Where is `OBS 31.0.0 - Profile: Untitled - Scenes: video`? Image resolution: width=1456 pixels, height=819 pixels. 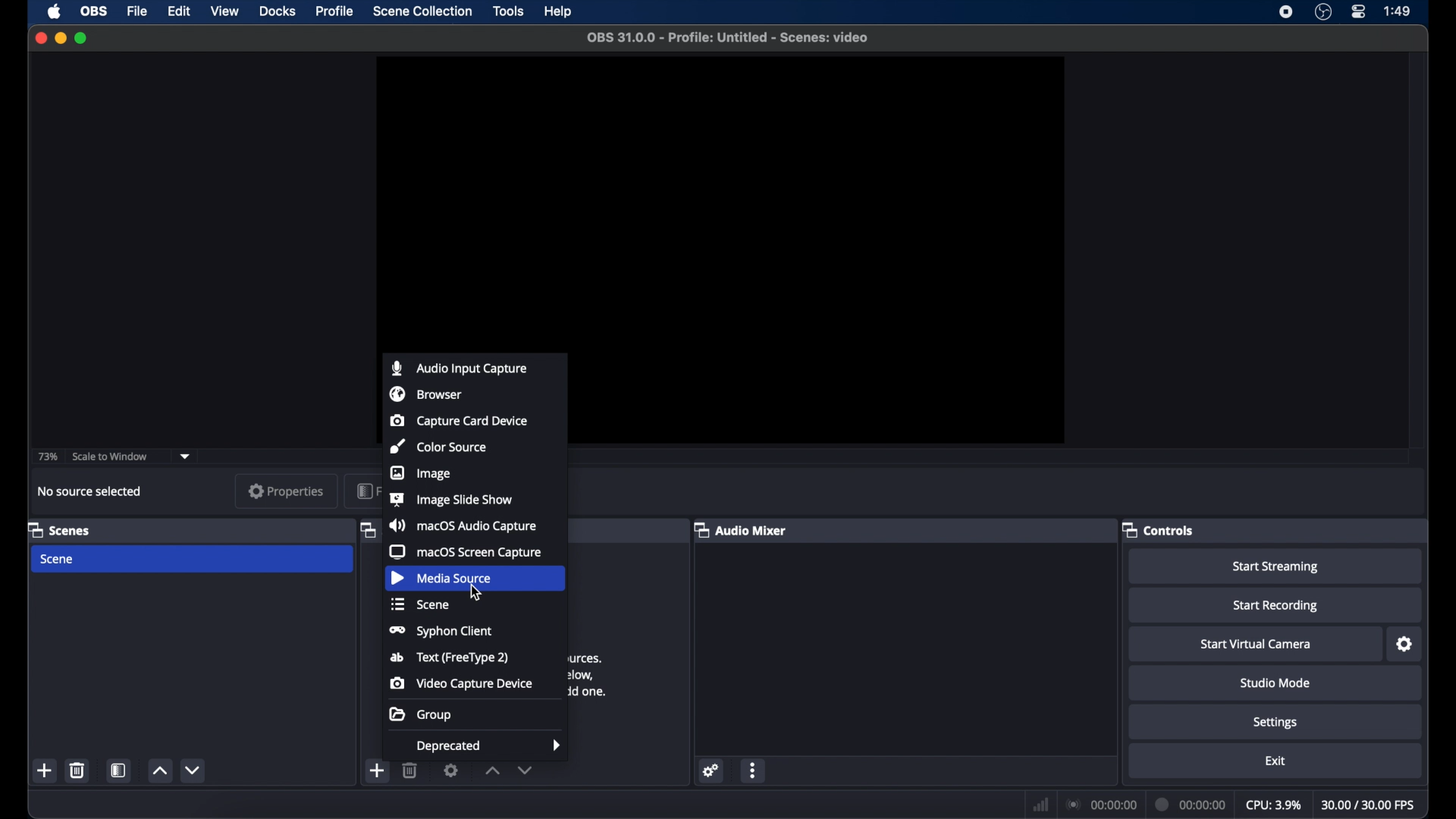
OBS 31.0.0 - Profile: Untitled - Scenes: video is located at coordinates (728, 38).